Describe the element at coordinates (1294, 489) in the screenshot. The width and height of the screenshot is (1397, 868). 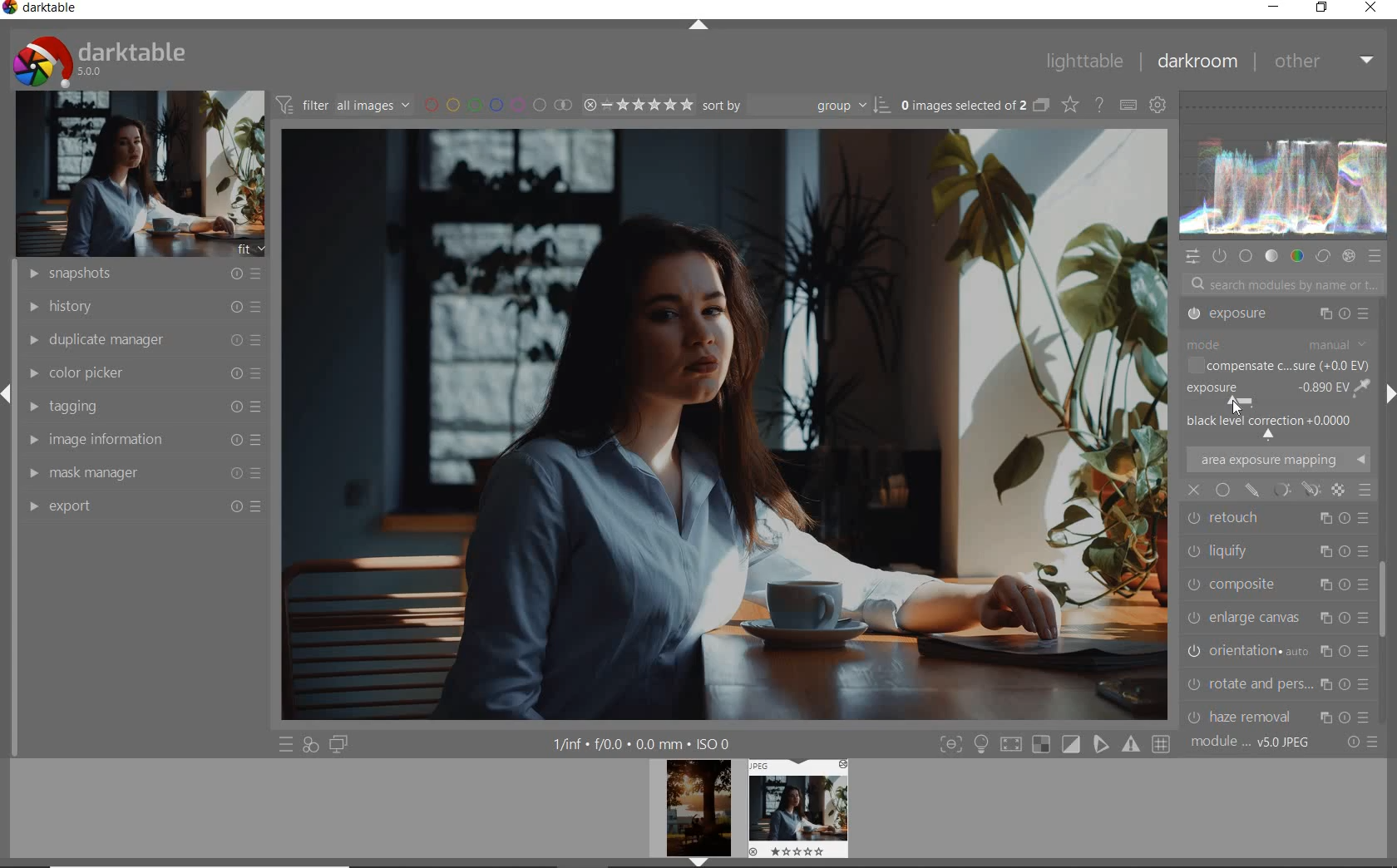
I see `mask options` at that location.